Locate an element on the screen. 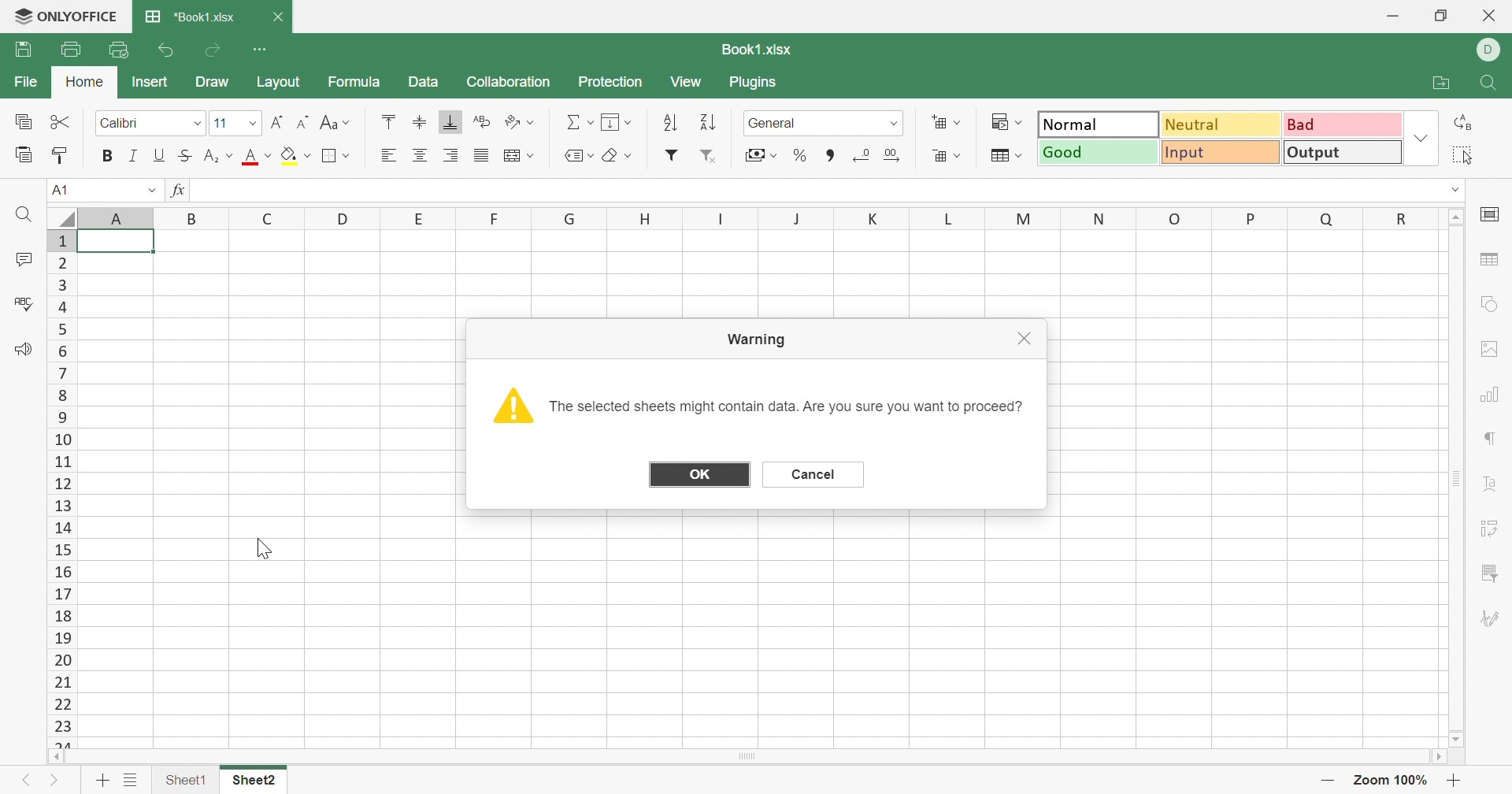 The image size is (1512, 794). Sheet2 is located at coordinates (254, 779).